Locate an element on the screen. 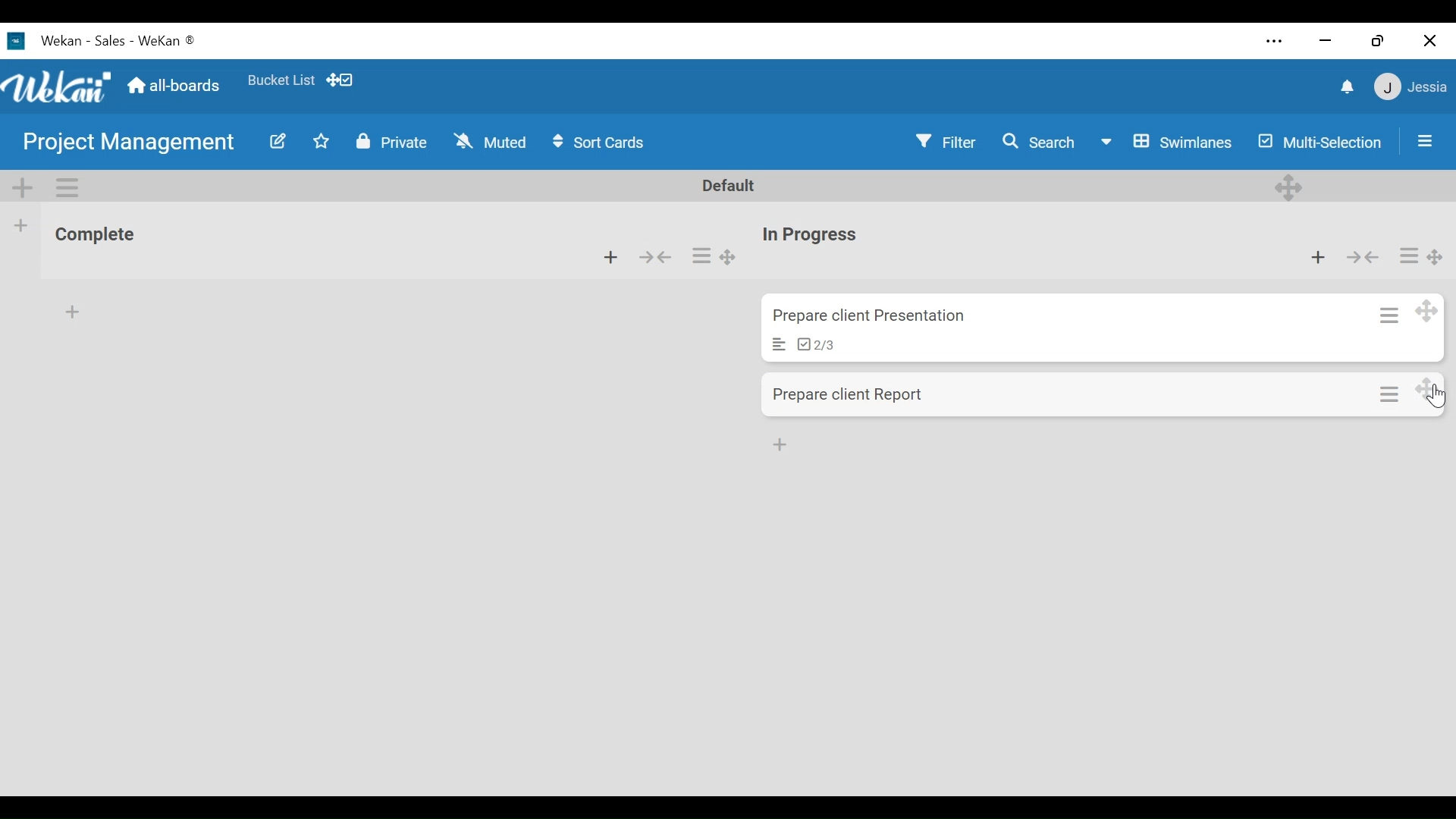 This screenshot has width=1456, height=819. Card actions is located at coordinates (1385, 311).